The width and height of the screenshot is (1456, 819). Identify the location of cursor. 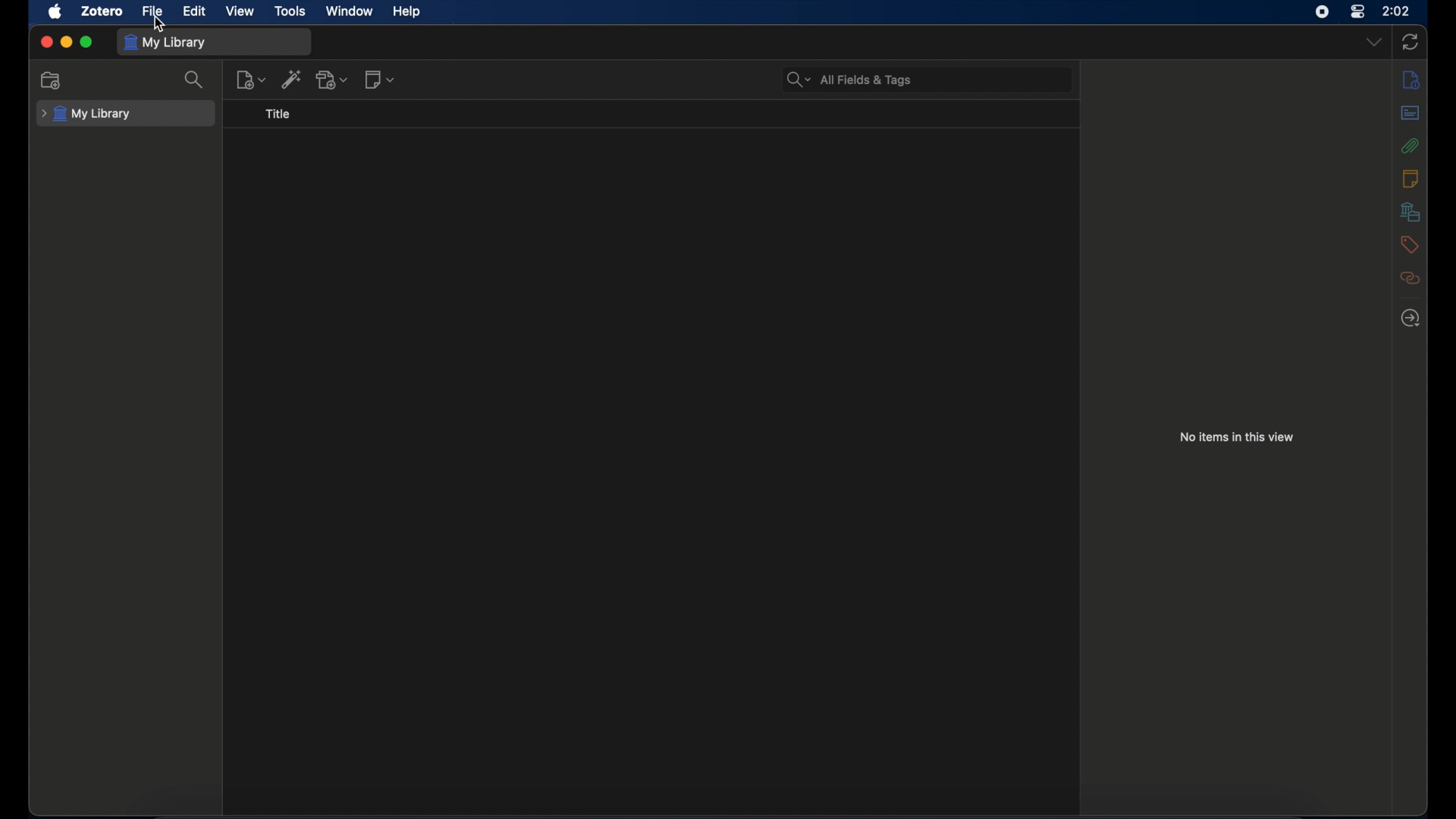
(159, 25).